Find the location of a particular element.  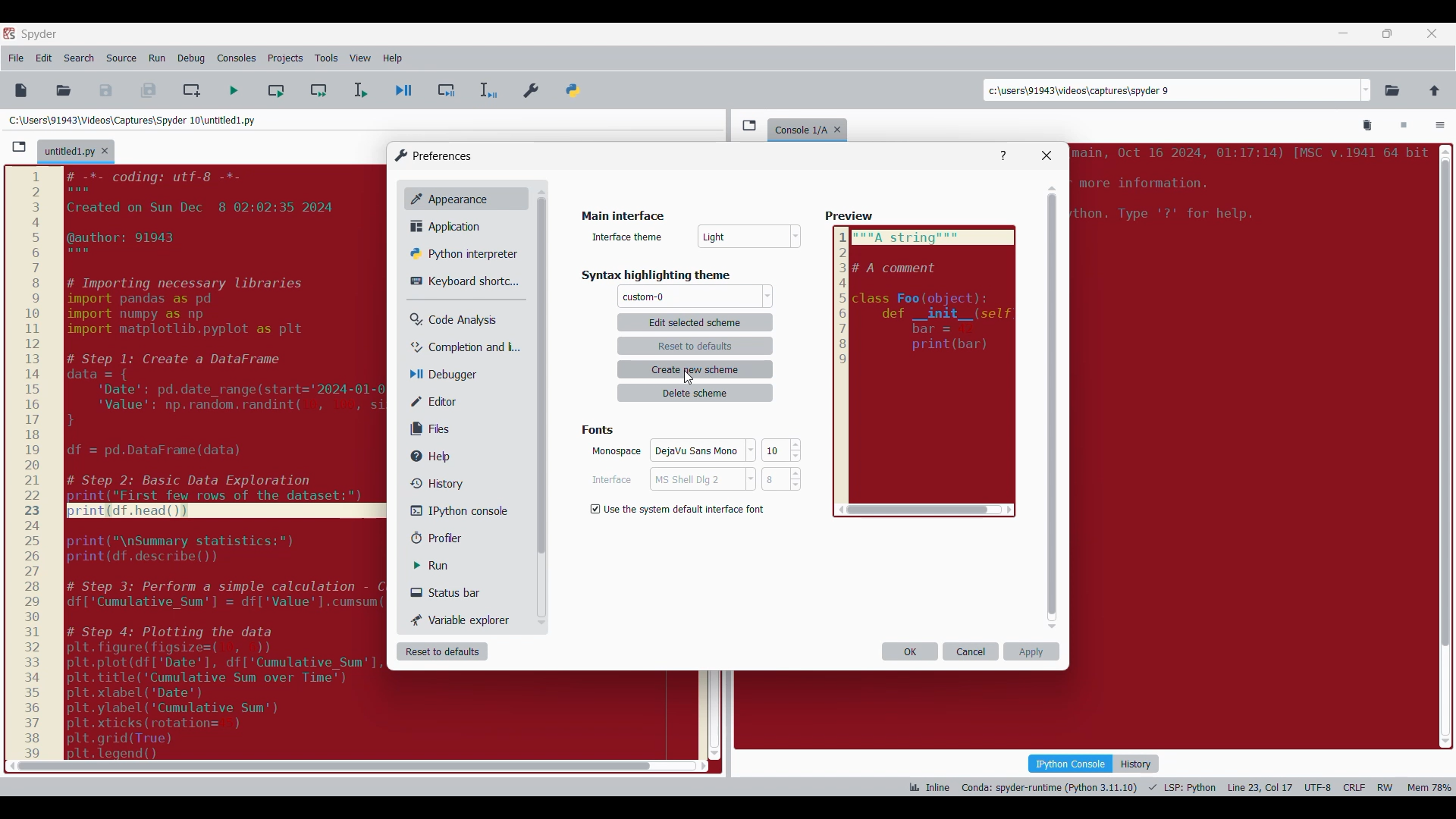

Preferences is located at coordinates (532, 87).